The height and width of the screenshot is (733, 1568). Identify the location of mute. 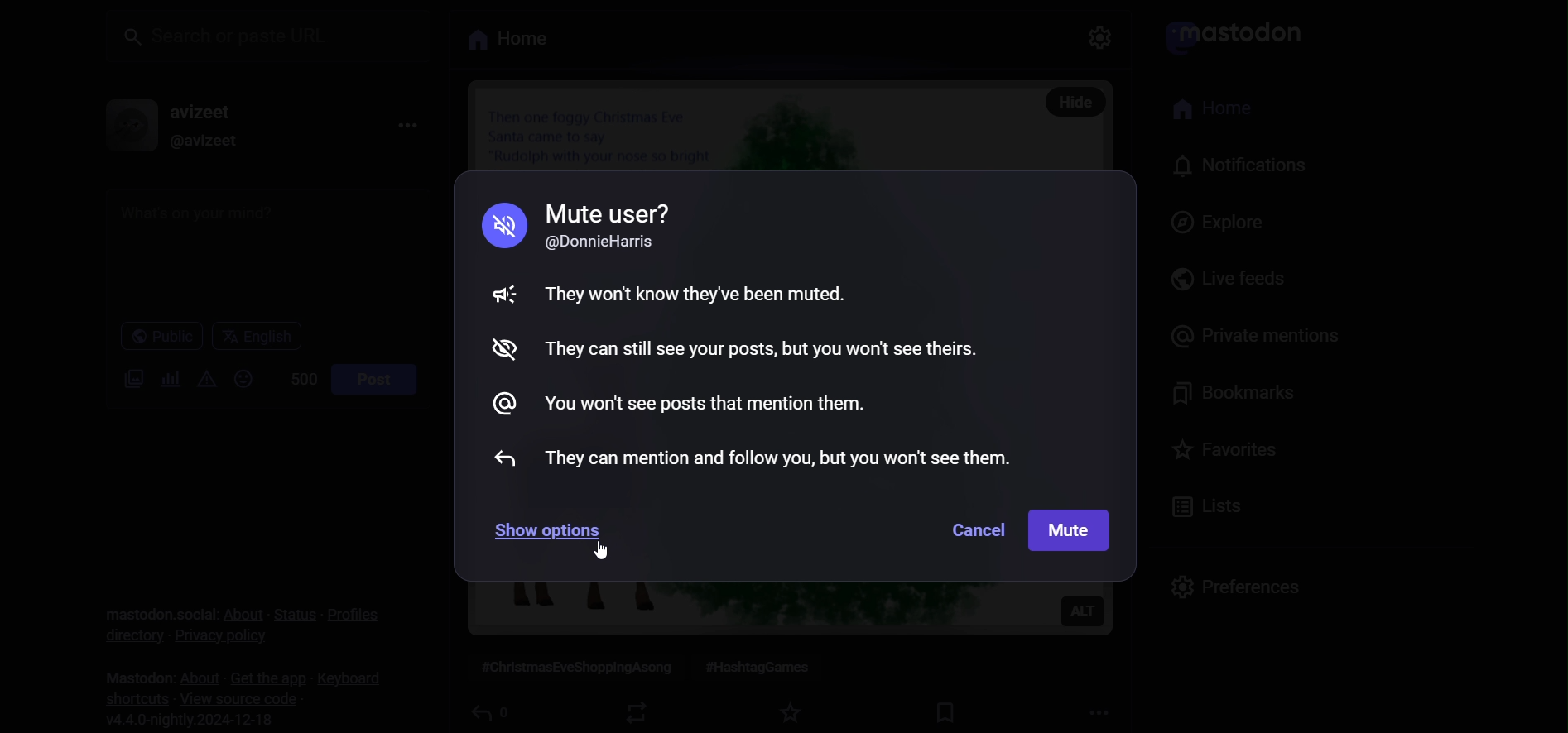
(501, 226).